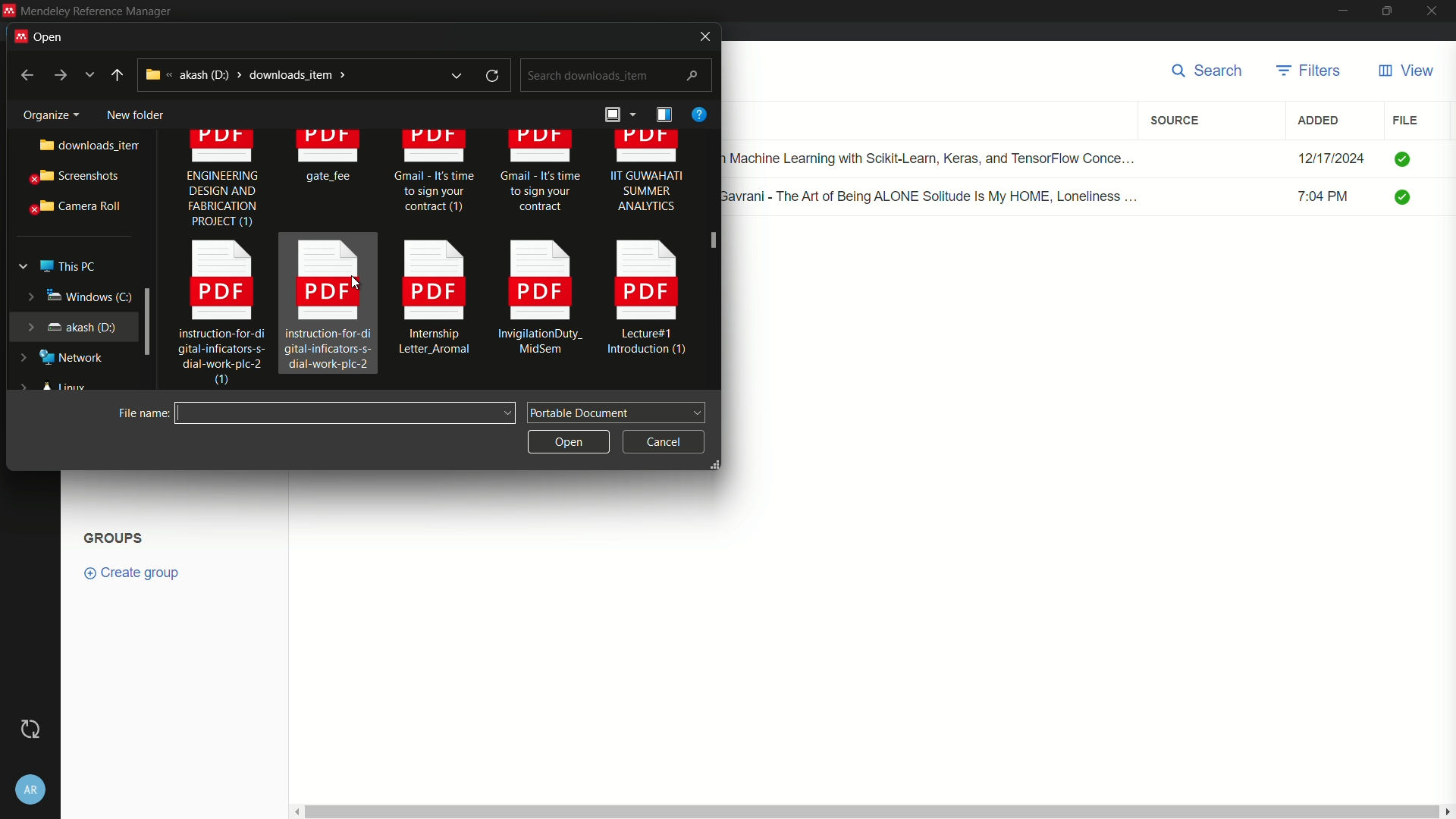 The width and height of the screenshot is (1456, 819). Describe the element at coordinates (77, 146) in the screenshot. I see `downloads_item..` at that location.